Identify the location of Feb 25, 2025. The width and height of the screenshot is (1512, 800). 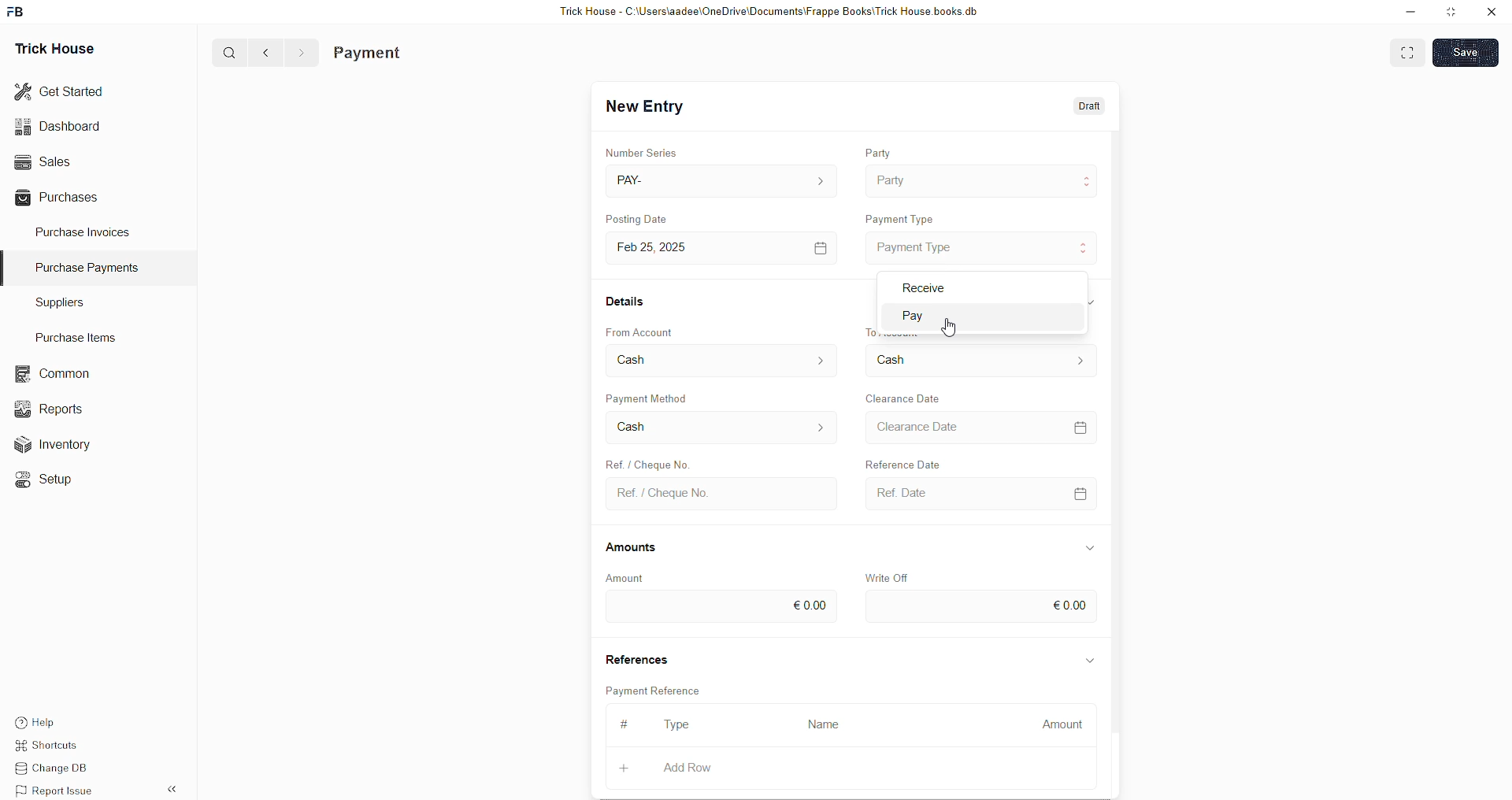
(663, 247).